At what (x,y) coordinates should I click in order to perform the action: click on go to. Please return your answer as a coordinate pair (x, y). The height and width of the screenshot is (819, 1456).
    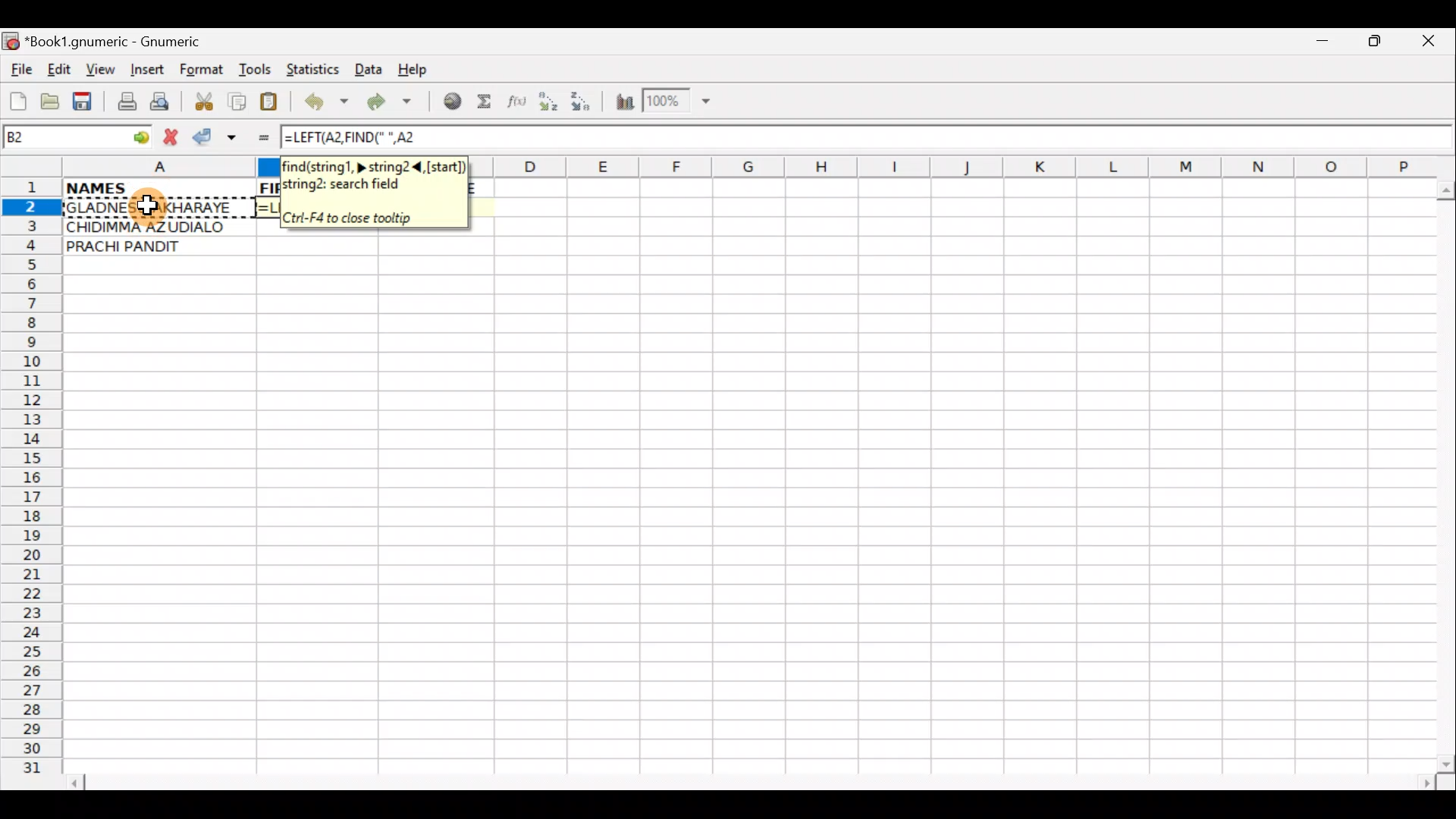
    Looking at the image, I should click on (140, 135).